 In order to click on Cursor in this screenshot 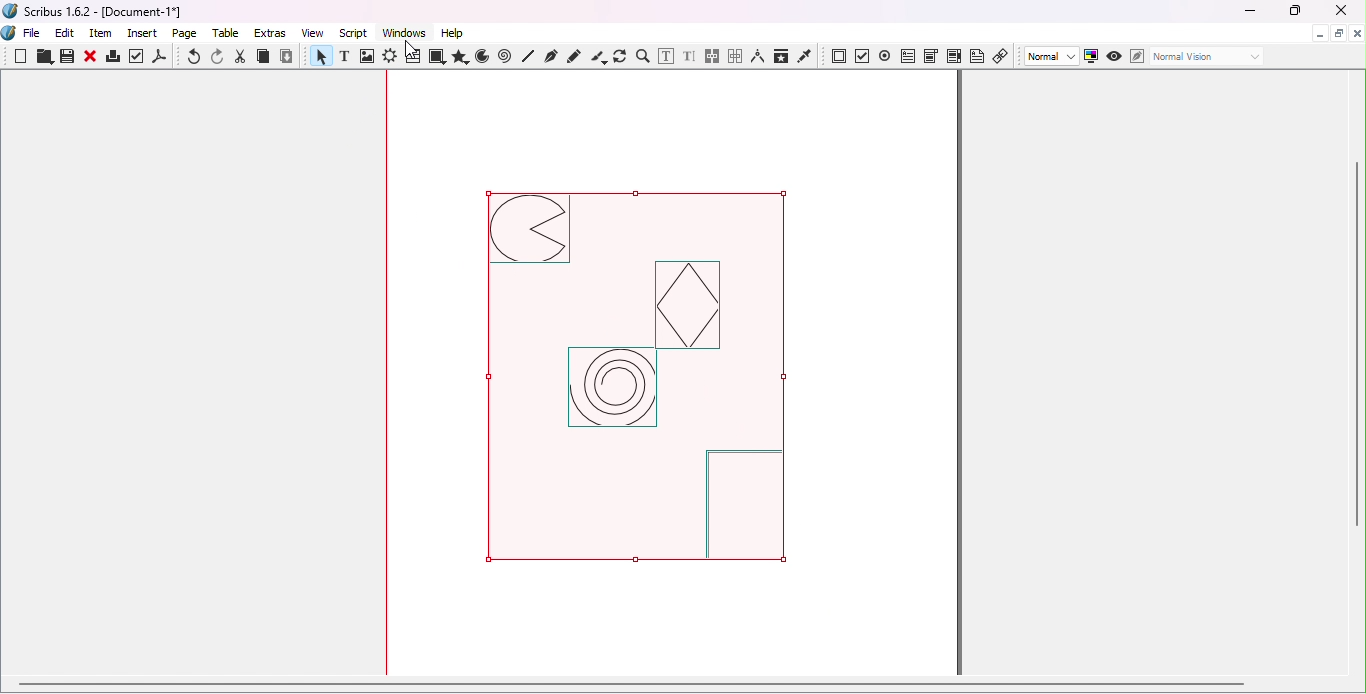, I will do `click(415, 42)`.